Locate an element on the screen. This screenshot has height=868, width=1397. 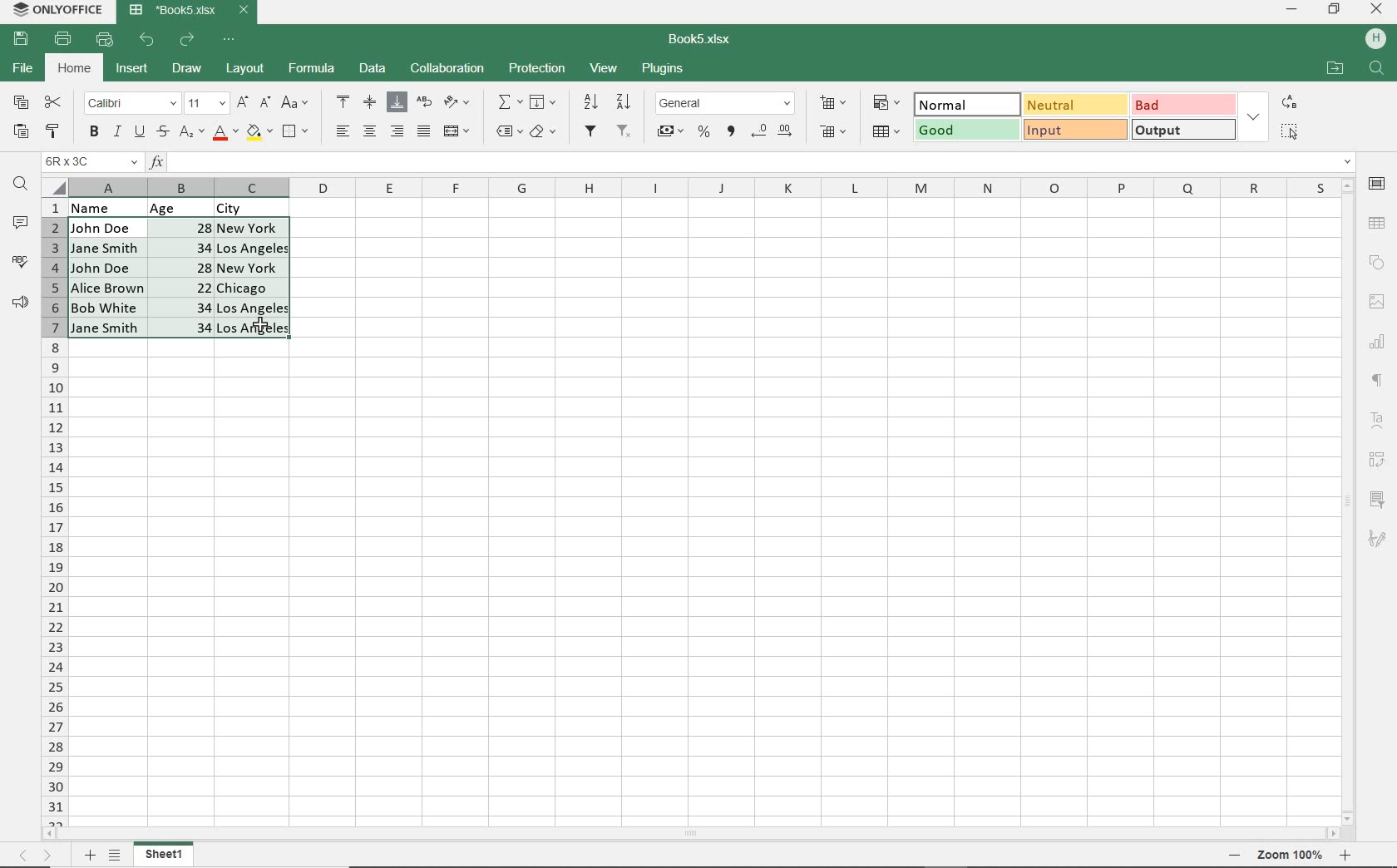
BAD is located at coordinates (1182, 104).